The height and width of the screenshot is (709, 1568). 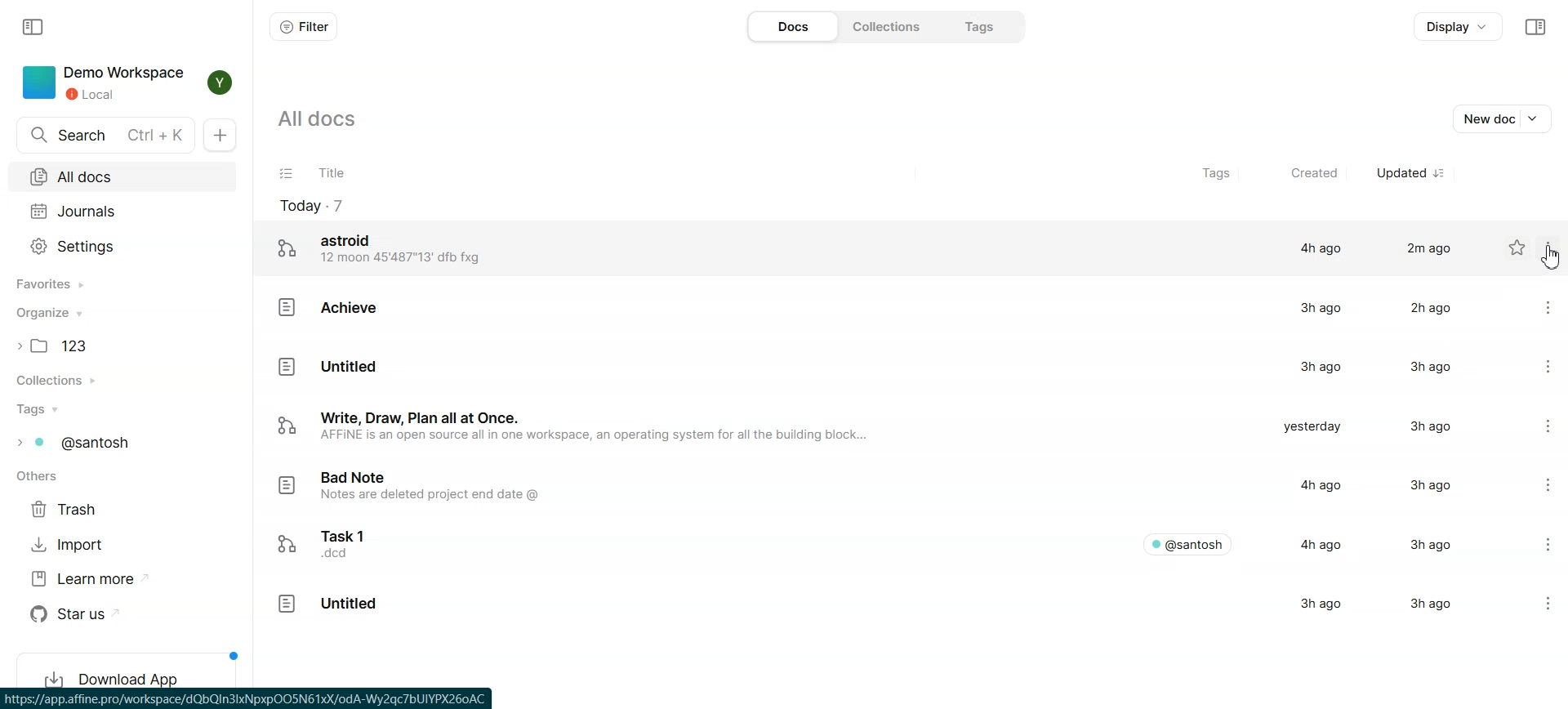 What do you see at coordinates (1315, 484) in the screenshot?
I see `4h ago` at bounding box center [1315, 484].